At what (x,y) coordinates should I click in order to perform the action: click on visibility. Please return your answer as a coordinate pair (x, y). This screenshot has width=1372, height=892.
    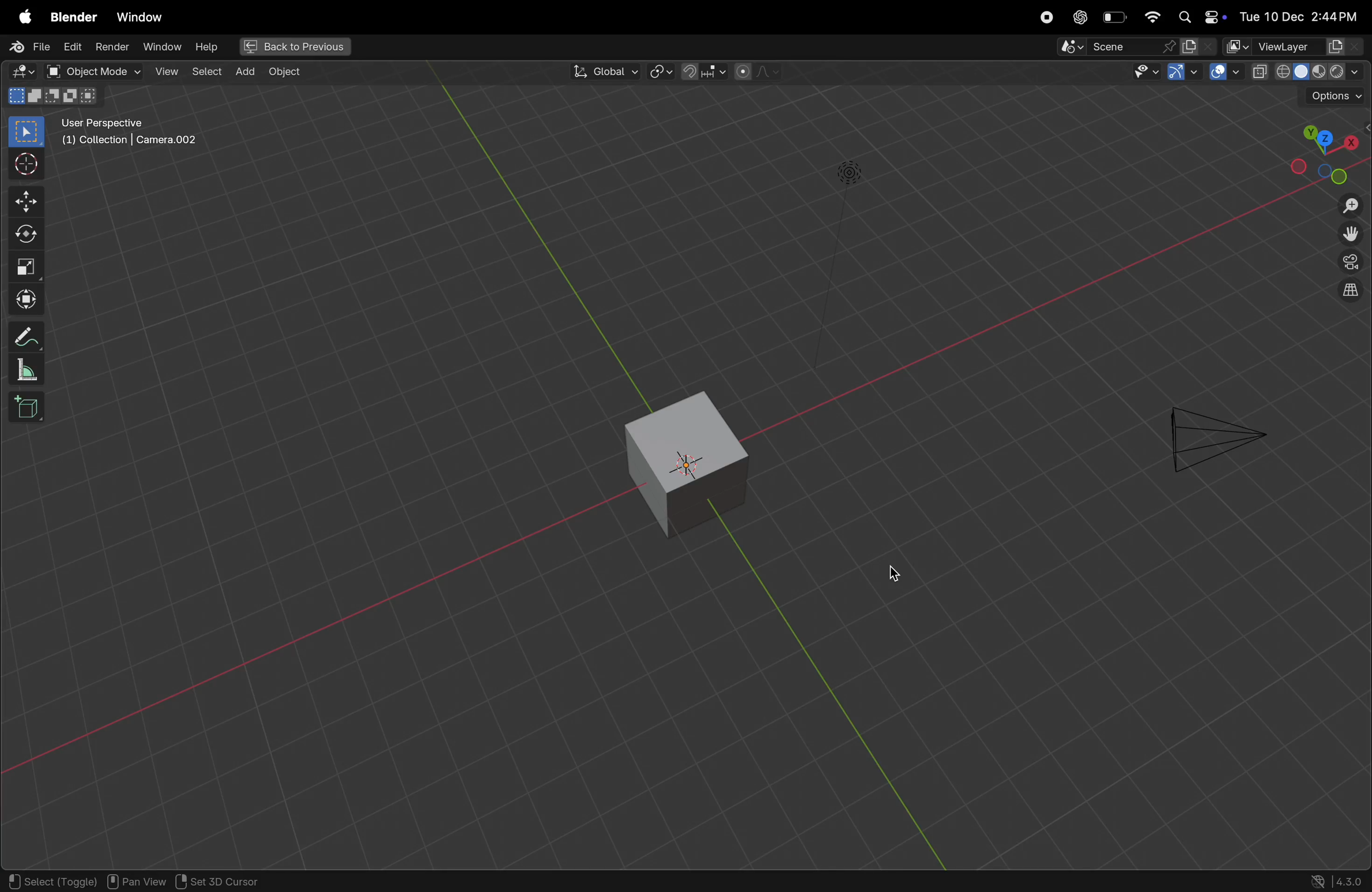
    Looking at the image, I should click on (1145, 74).